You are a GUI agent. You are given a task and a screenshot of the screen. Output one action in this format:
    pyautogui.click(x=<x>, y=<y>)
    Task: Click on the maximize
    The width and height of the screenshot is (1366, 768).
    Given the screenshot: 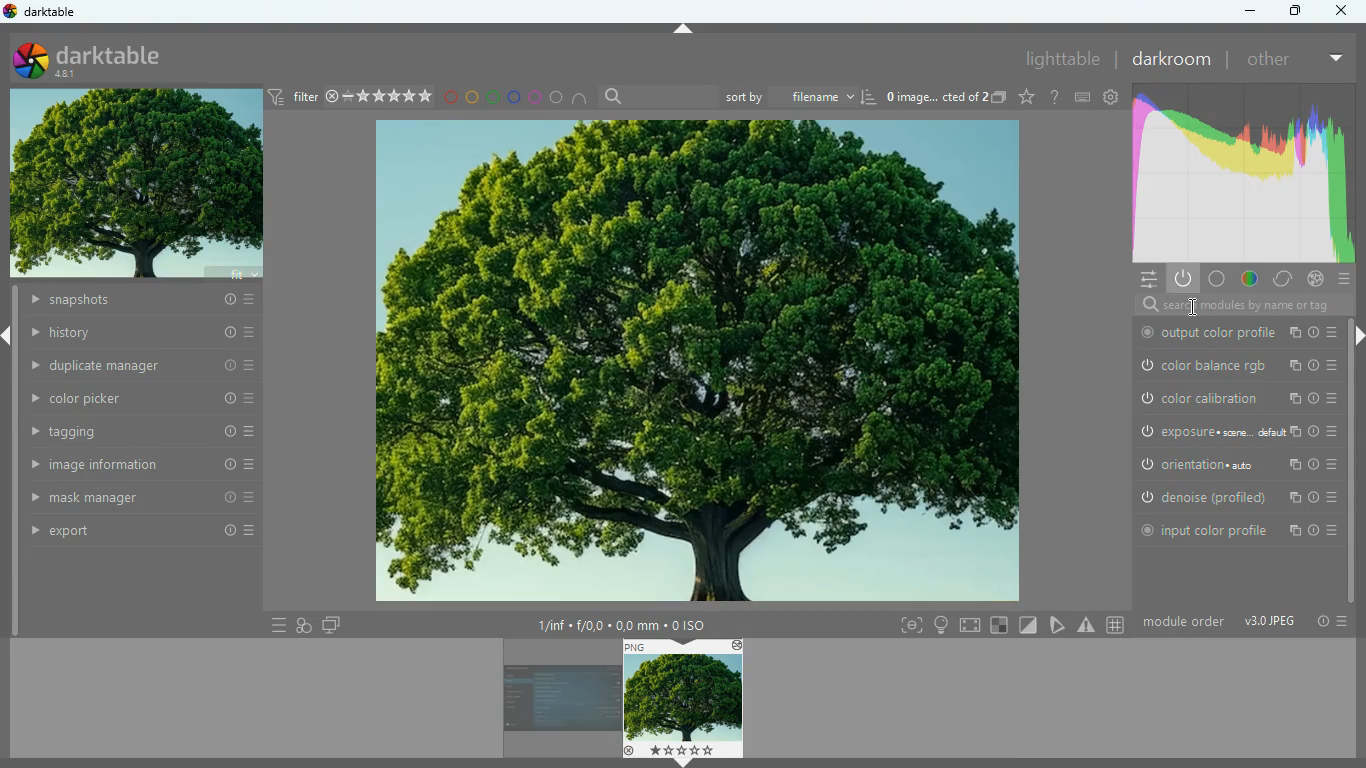 What is the action you would take?
    pyautogui.click(x=1293, y=11)
    